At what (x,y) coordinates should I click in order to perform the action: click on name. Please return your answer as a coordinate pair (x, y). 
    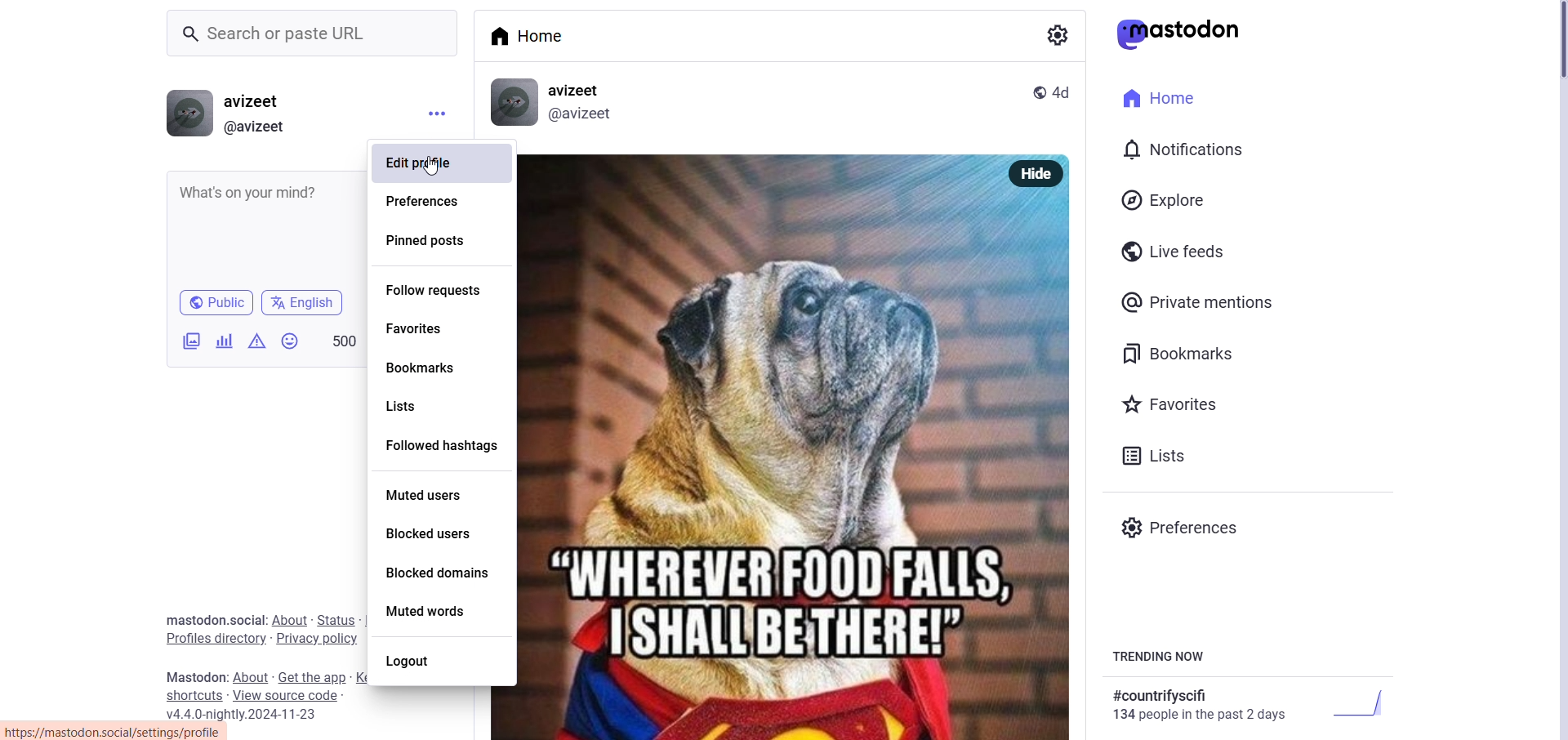
    Looking at the image, I should click on (580, 89).